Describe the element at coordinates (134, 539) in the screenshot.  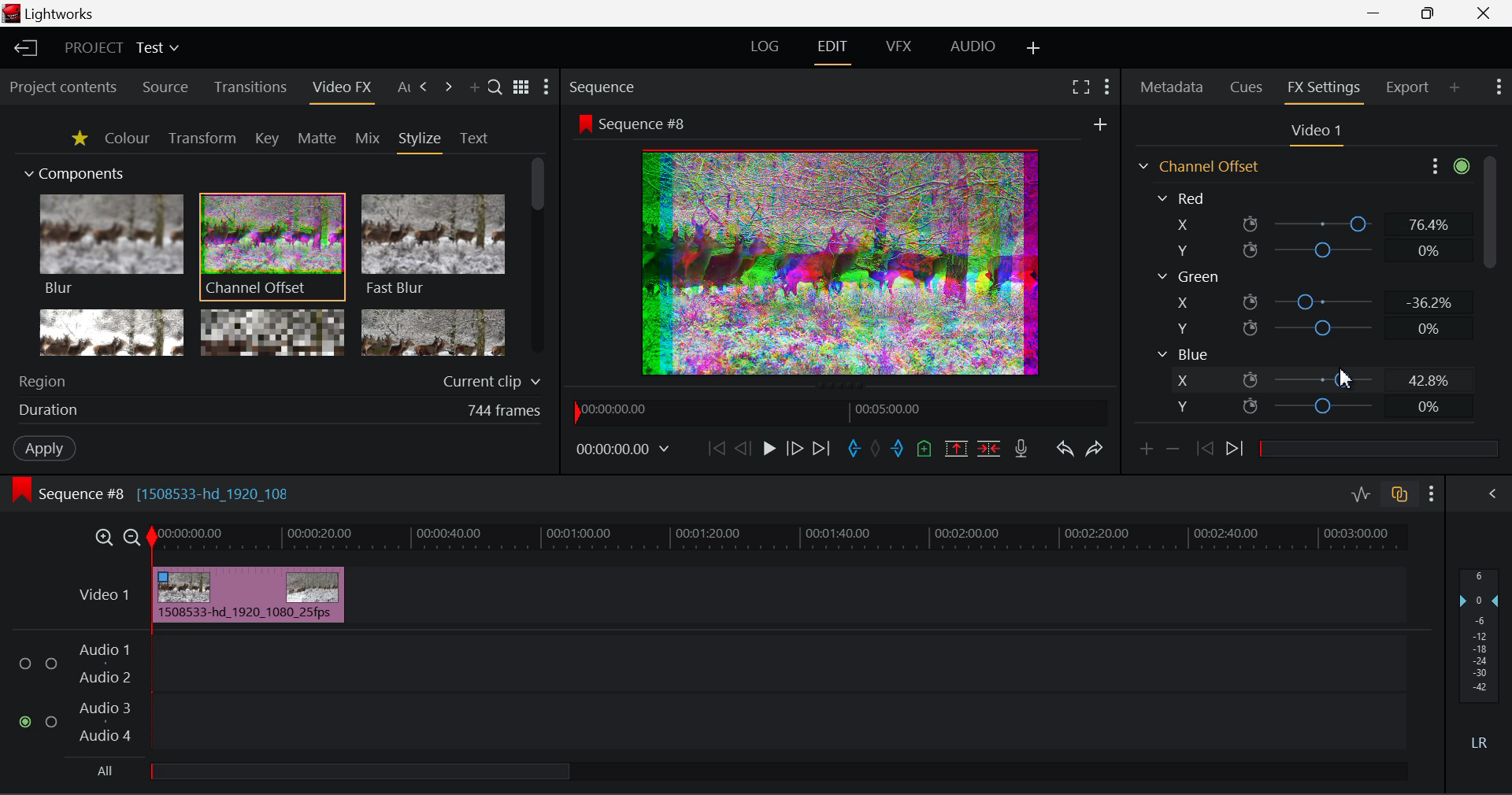
I see `Timeline Zoom Out` at that location.